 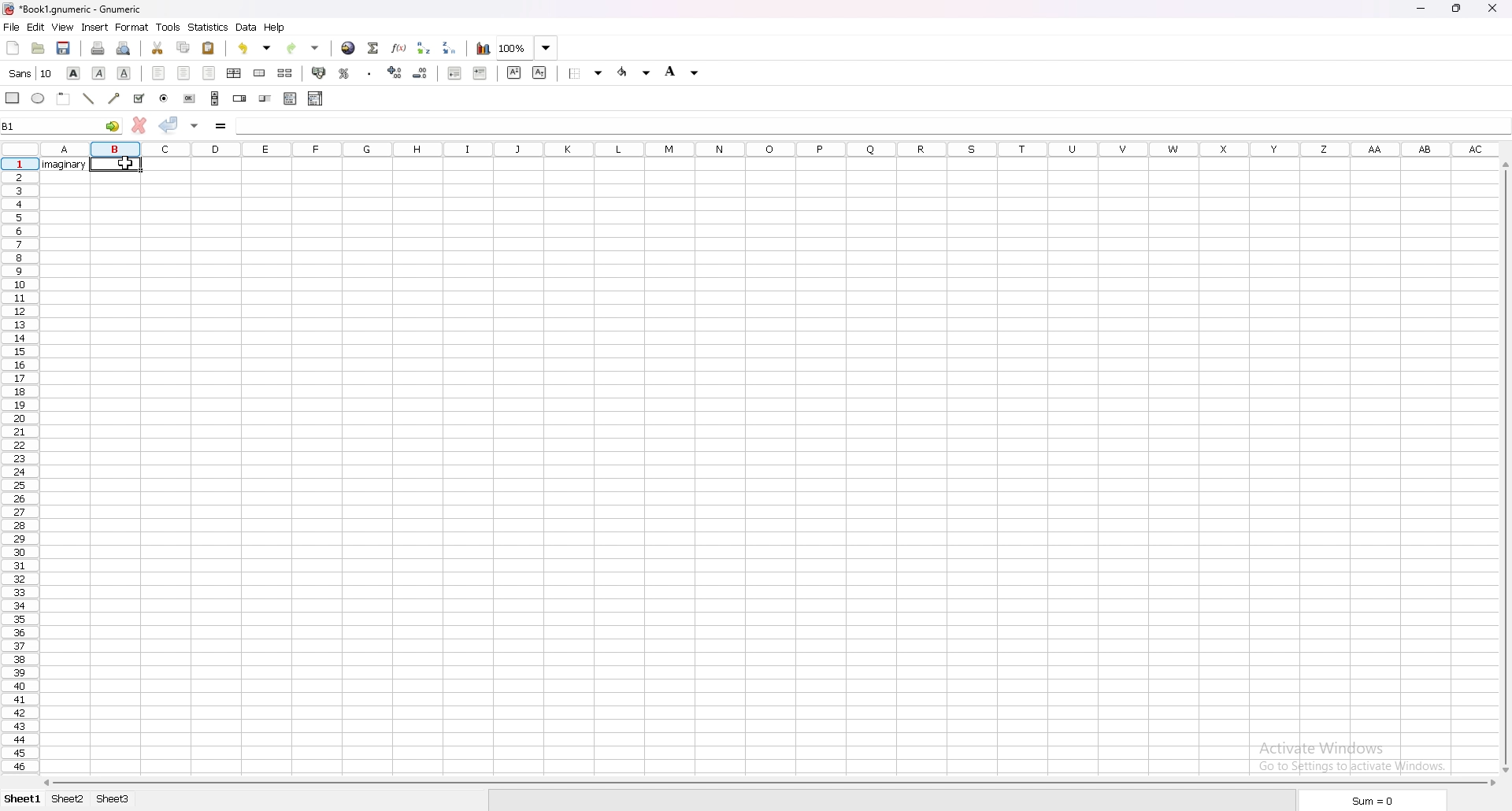 I want to click on resize, so click(x=1456, y=9).